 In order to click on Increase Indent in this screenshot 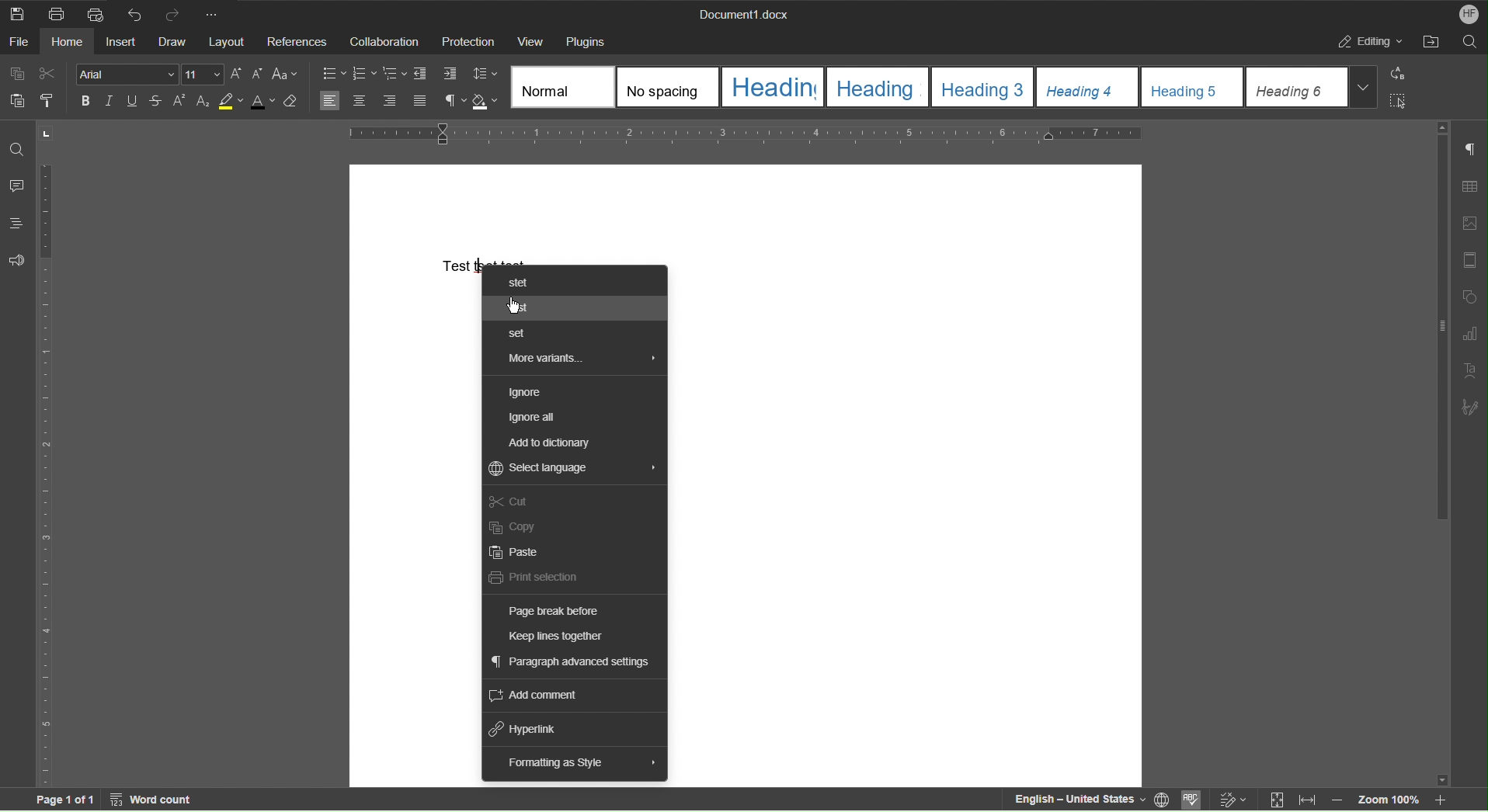, I will do `click(449, 75)`.